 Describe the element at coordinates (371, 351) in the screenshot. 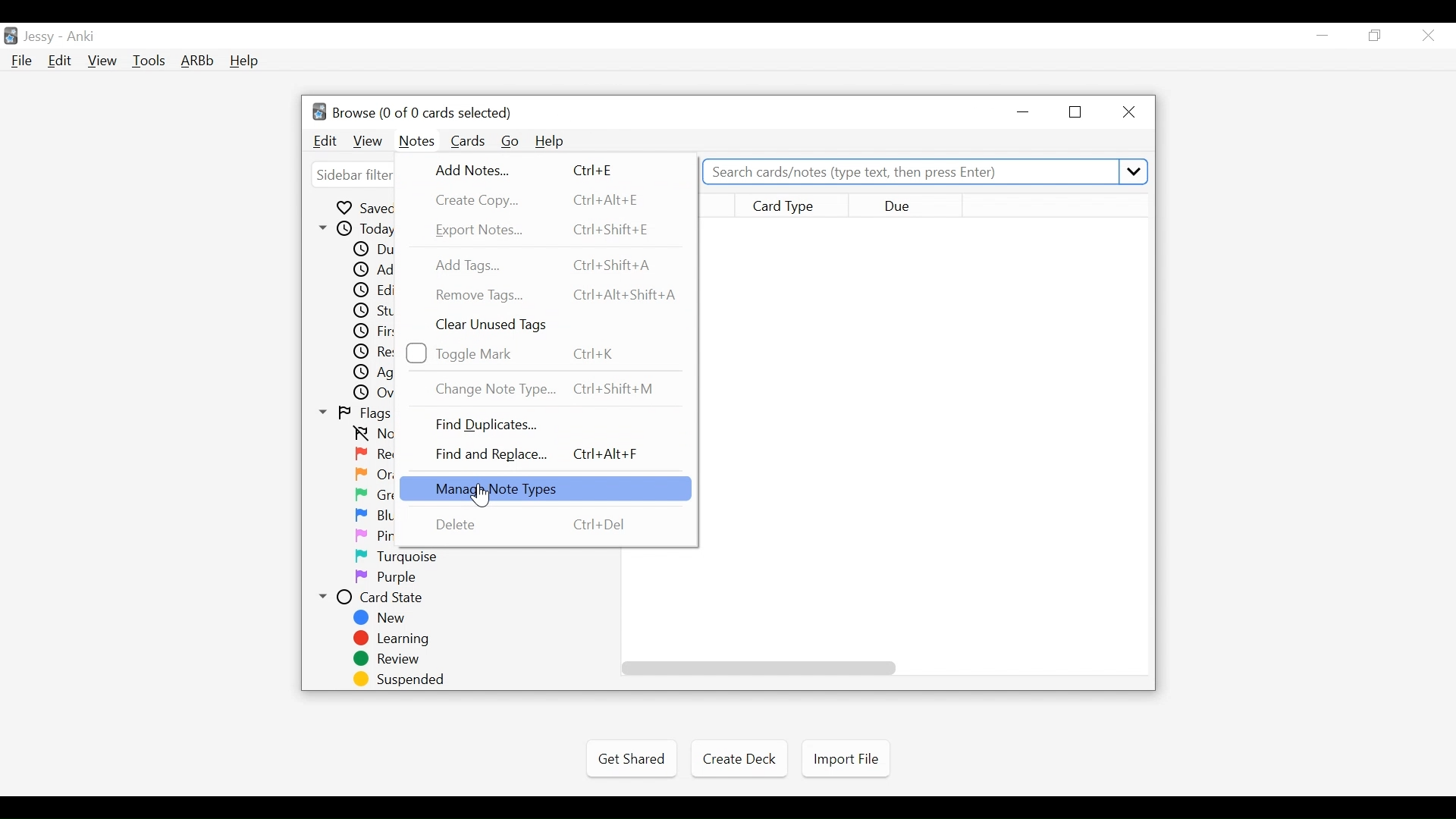

I see `Rescheduled` at that location.